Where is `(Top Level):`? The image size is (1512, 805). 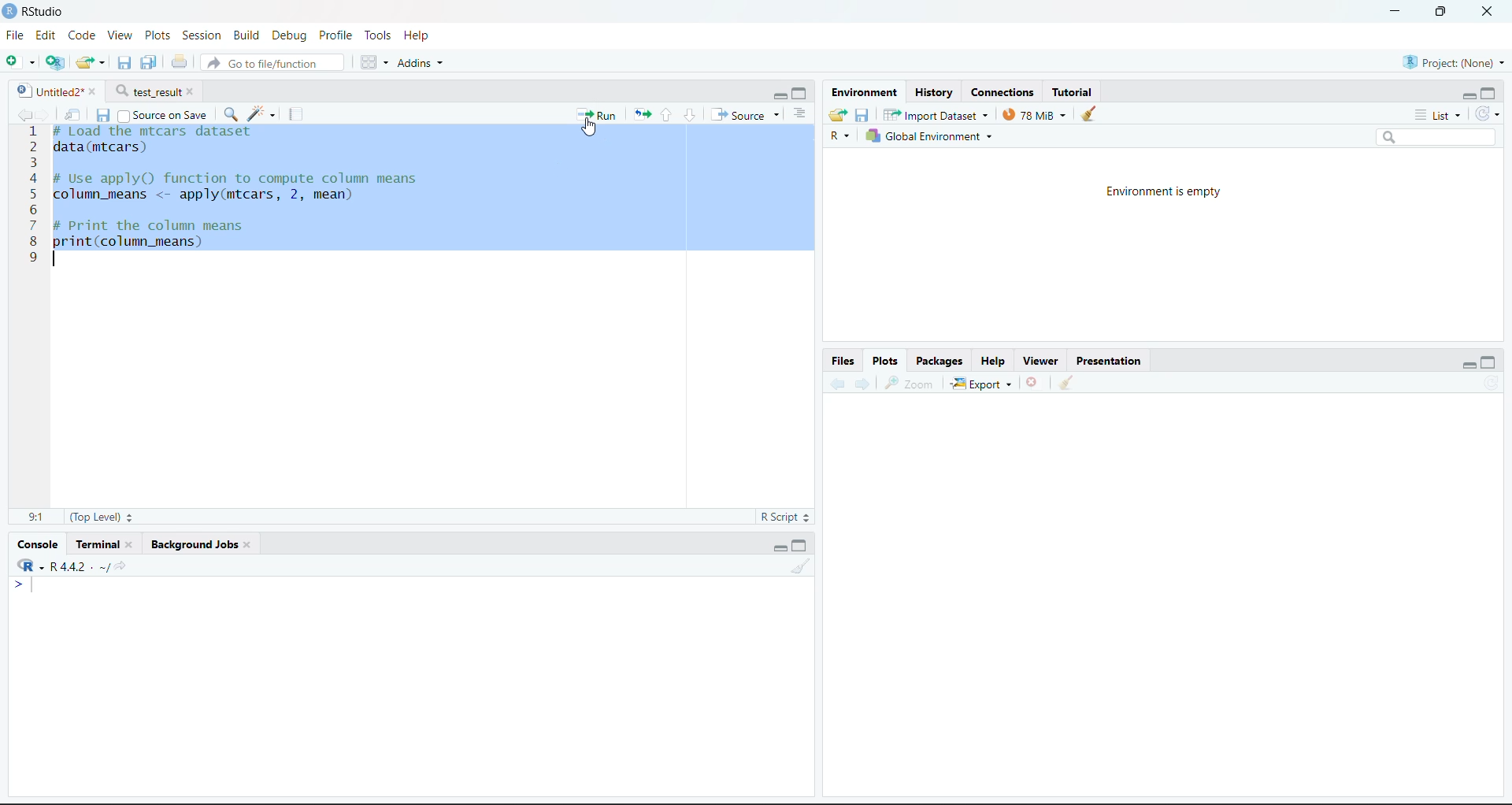 (Top Level): is located at coordinates (103, 517).